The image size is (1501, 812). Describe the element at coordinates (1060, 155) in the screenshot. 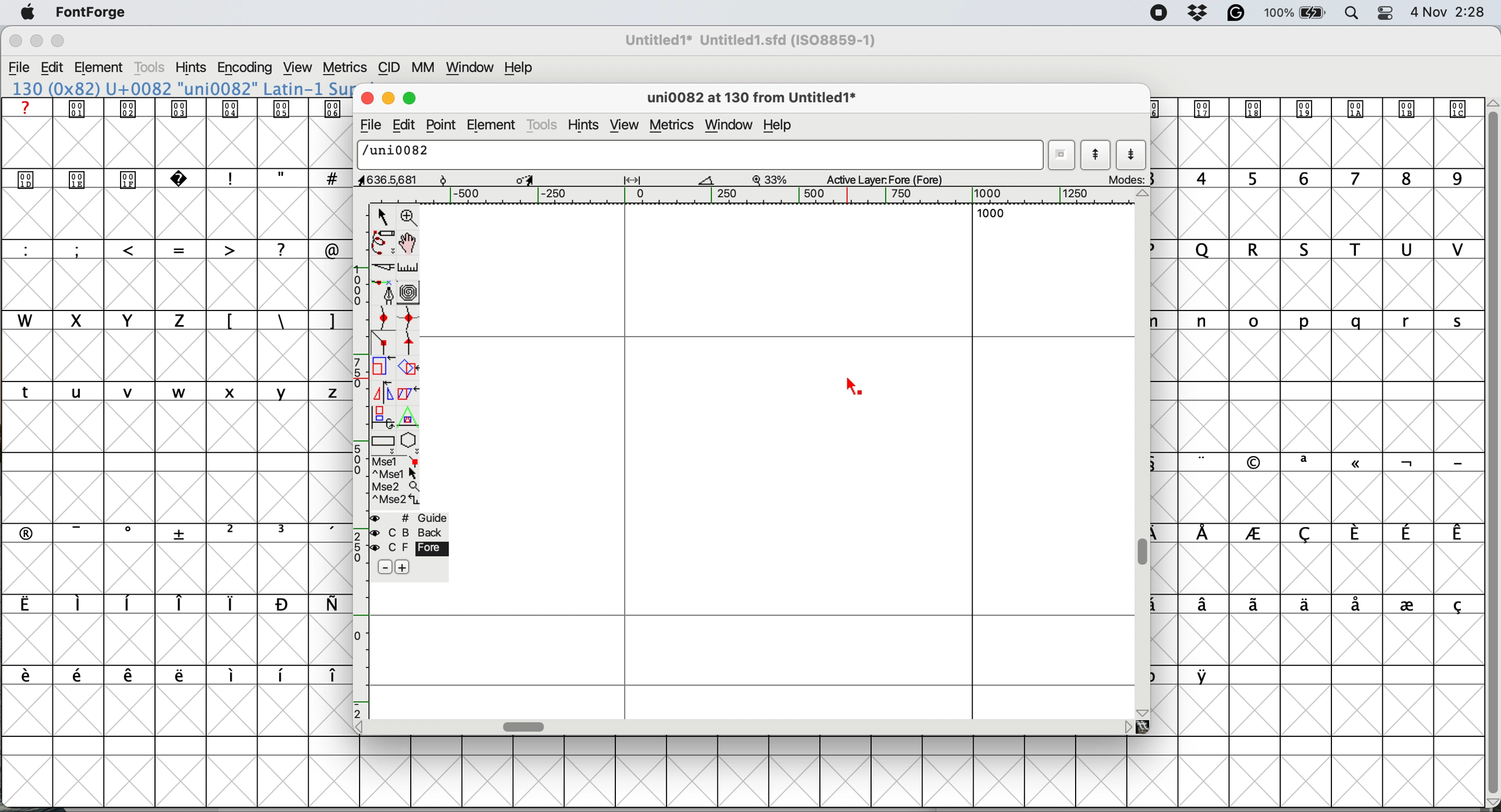

I see `current word list` at that location.